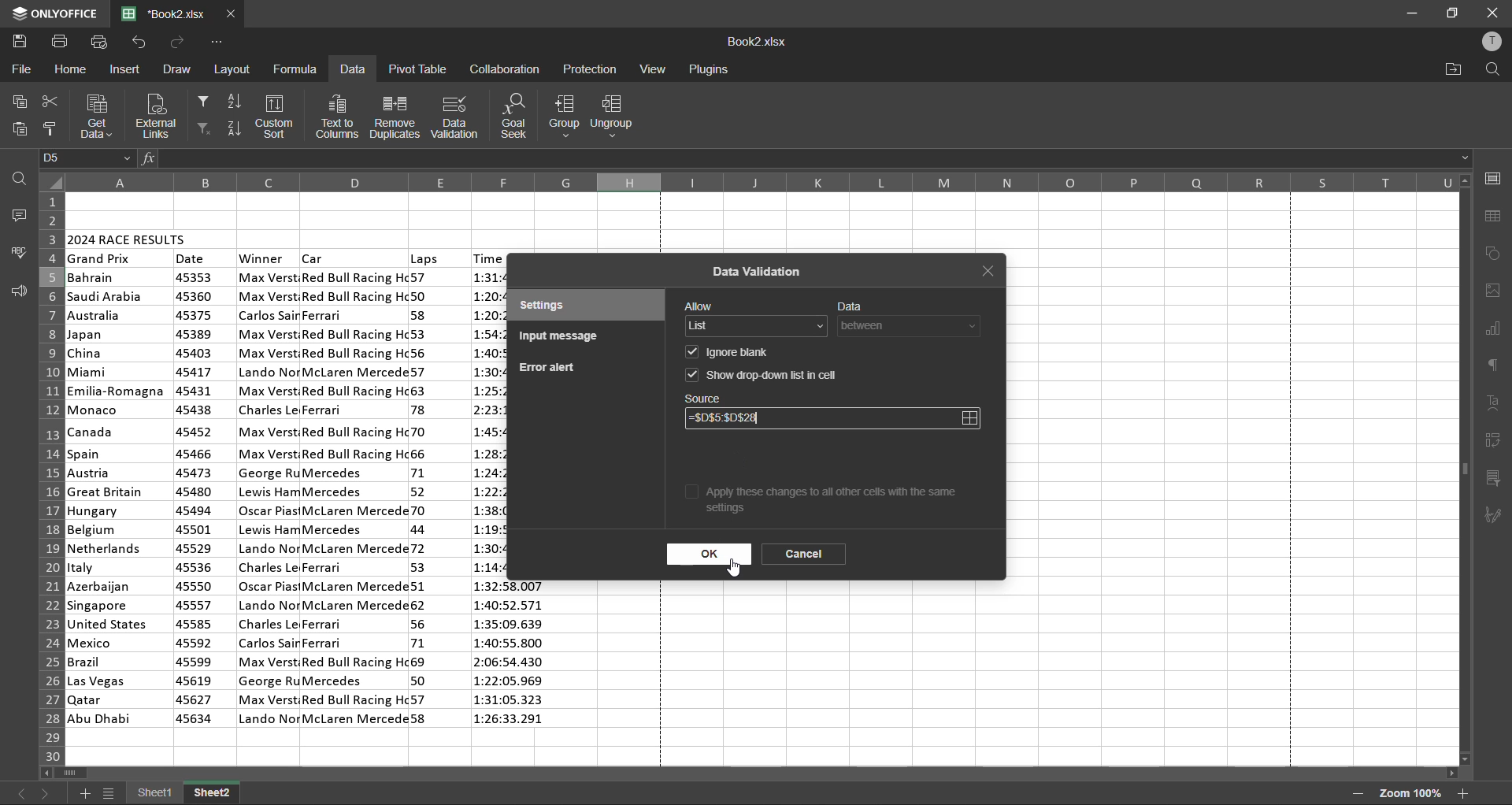 The width and height of the screenshot is (1512, 805). I want to click on pivot table, so click(416, 69).